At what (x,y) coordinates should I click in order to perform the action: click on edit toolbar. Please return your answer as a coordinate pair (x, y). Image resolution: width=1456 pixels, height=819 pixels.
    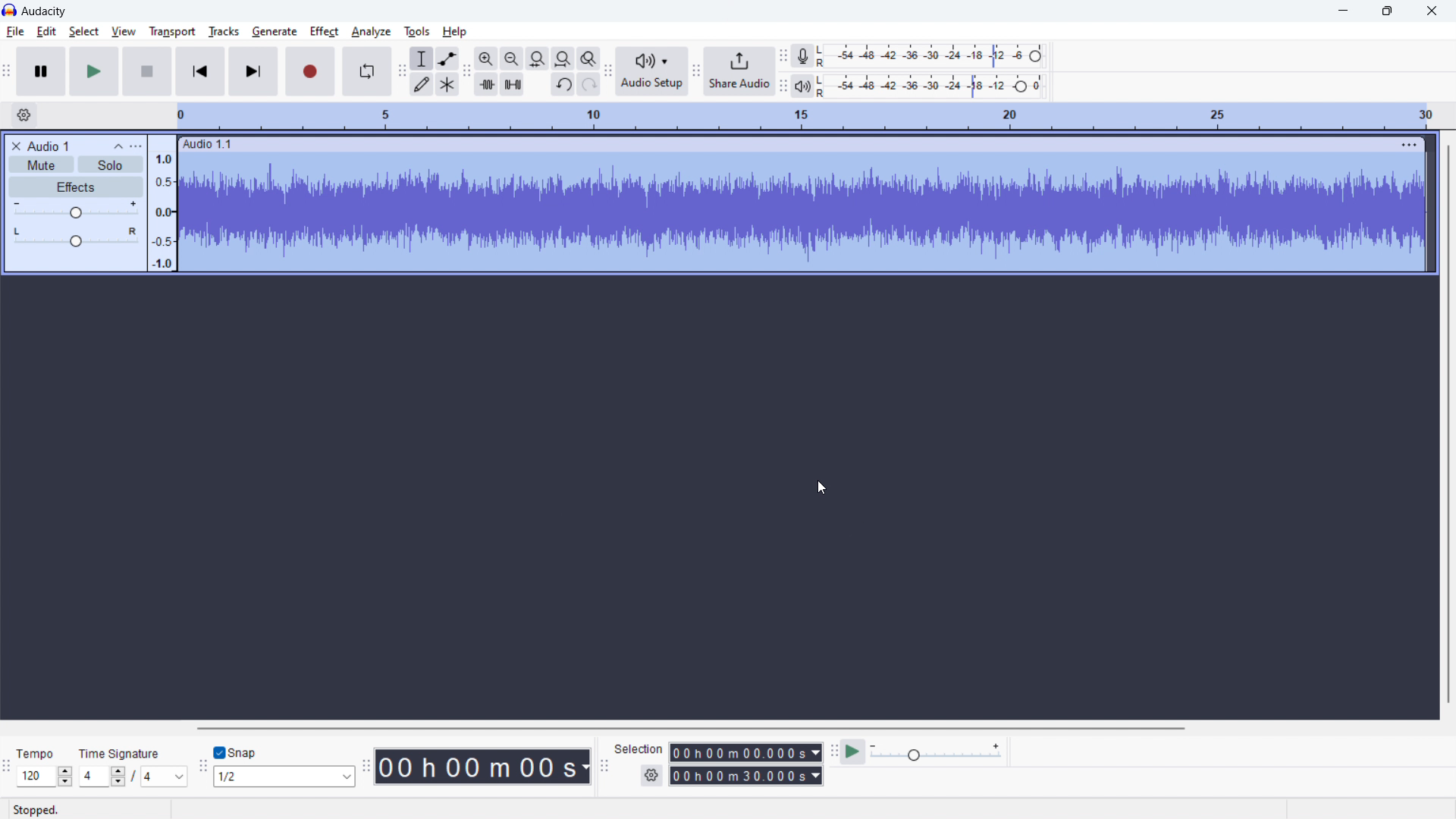
    Looking at the image, I should click on (467, 72).